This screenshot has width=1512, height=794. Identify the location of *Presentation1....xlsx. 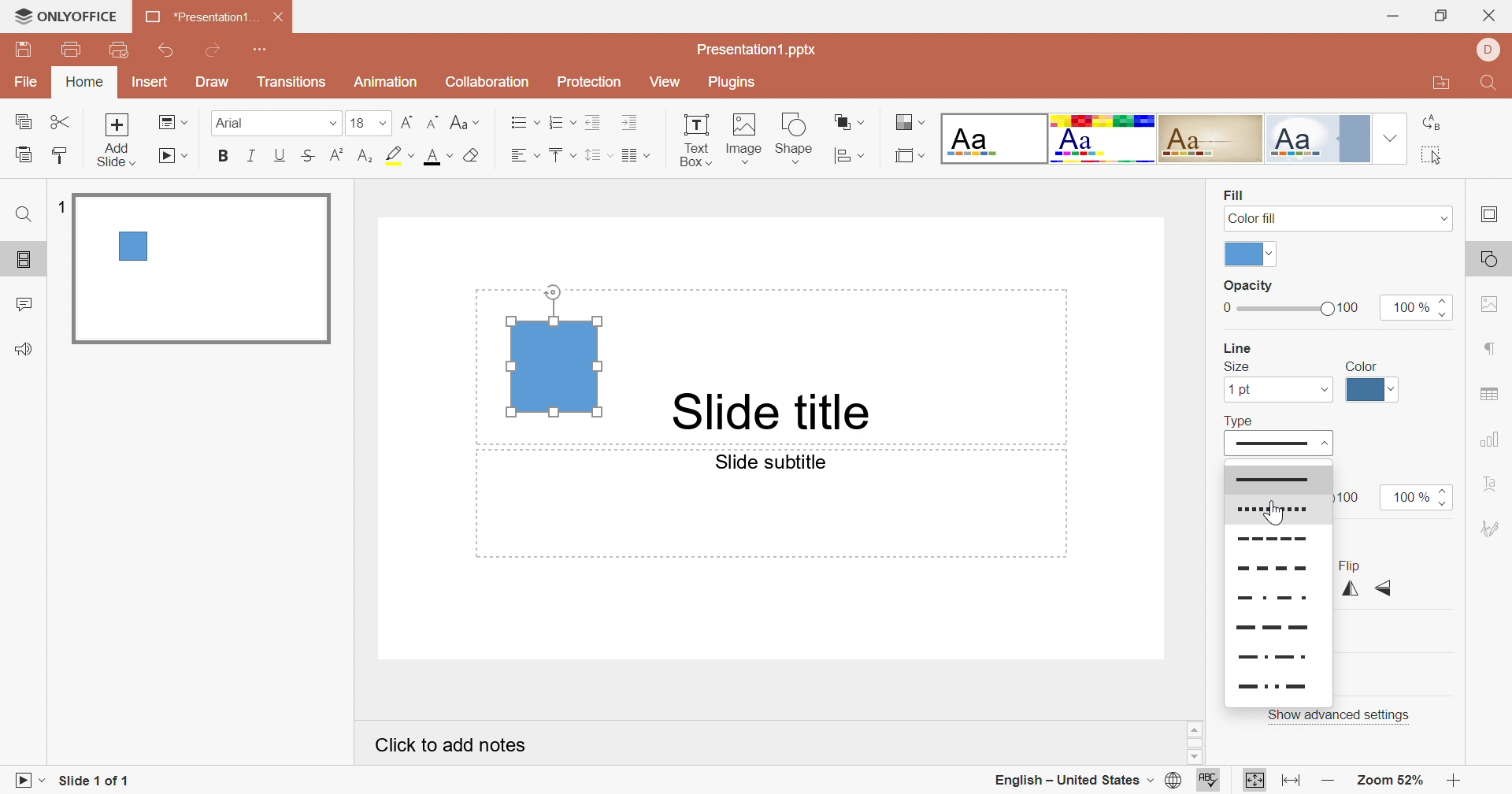
(199, 17).